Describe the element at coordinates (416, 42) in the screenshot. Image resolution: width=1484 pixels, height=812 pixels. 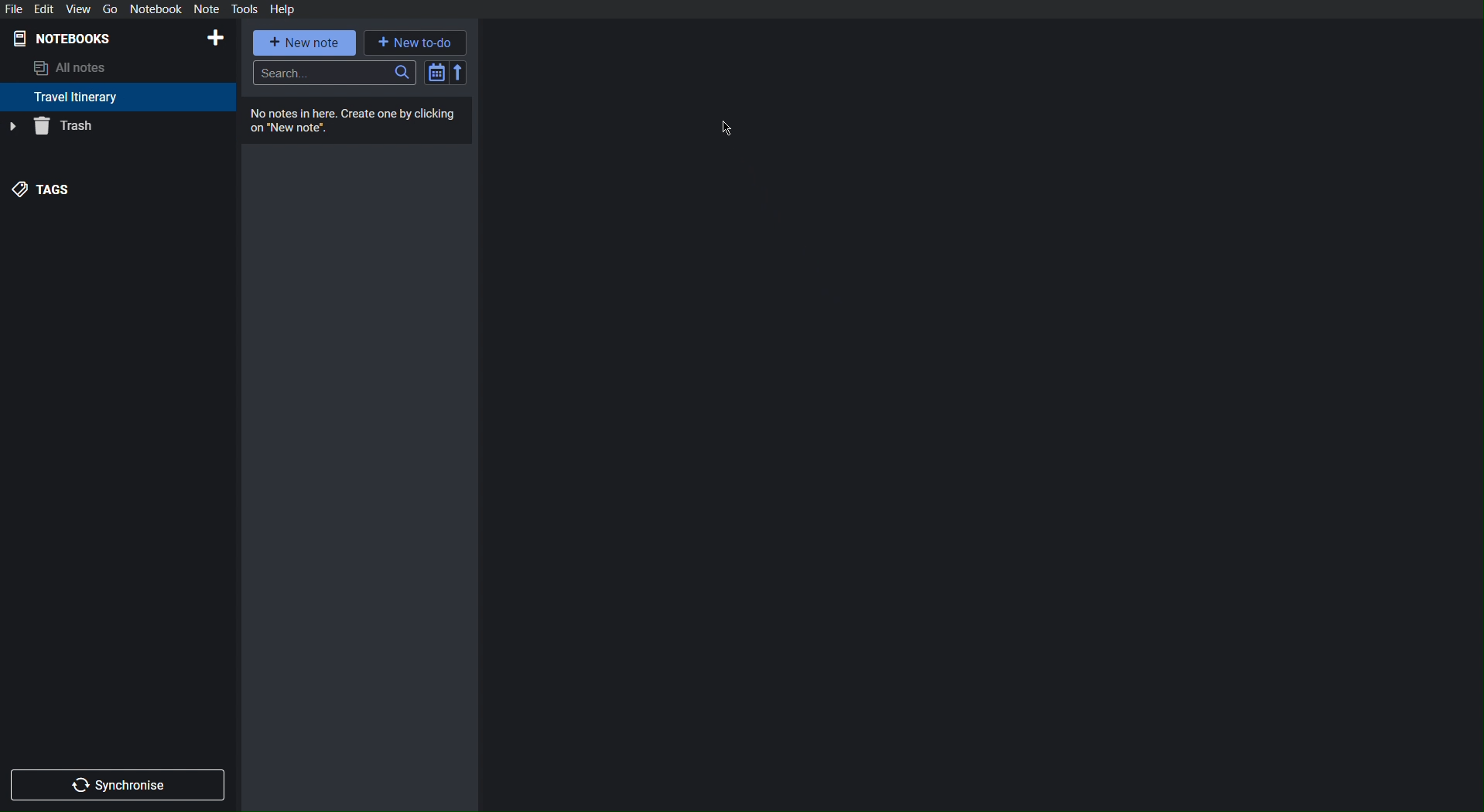
I see `New to-do` at that location.